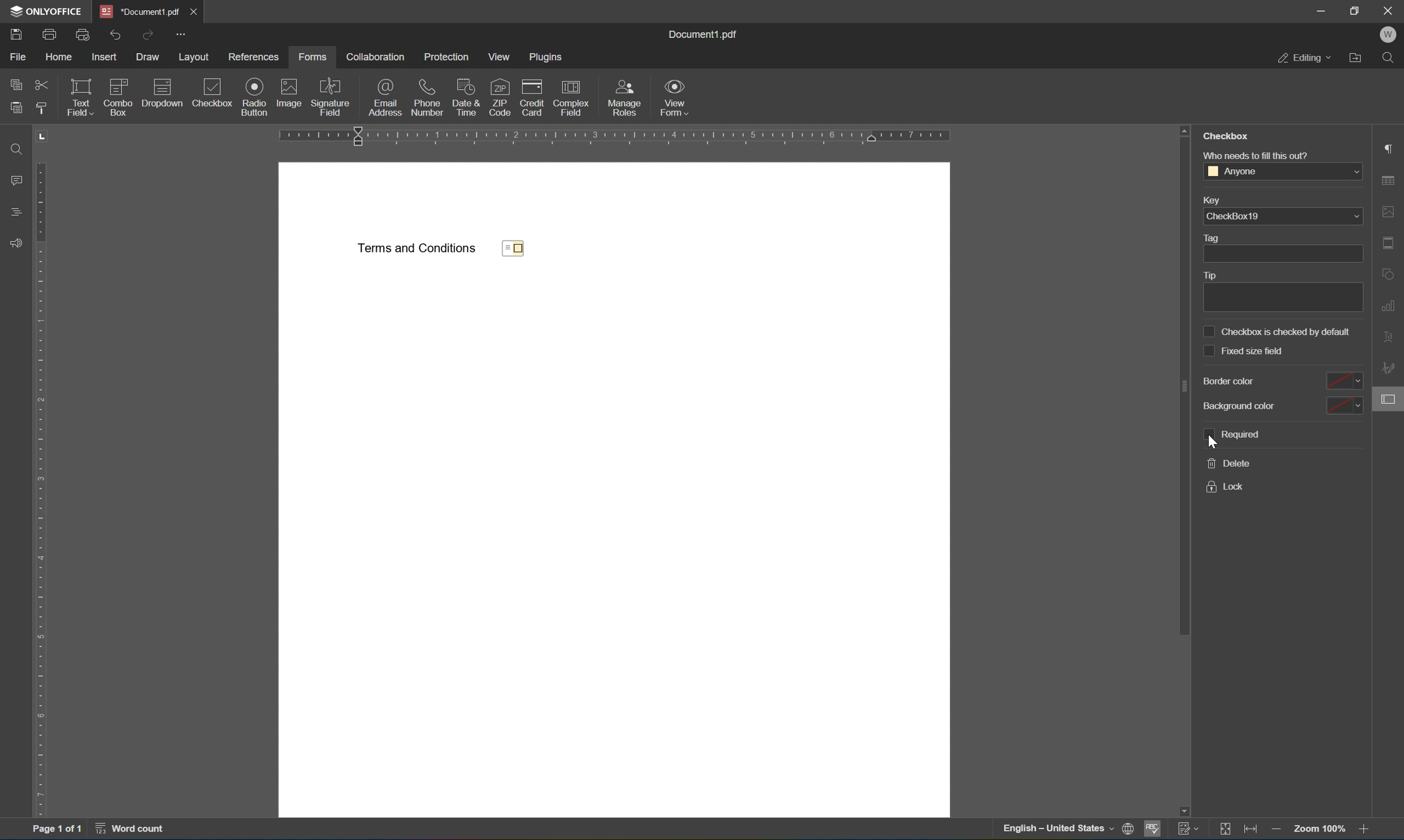 Image resolution: width=1404 pixels, height=840 pixels. Describe the element at coordinates (1389, 57) in the screenshot. I see `find` at that location.